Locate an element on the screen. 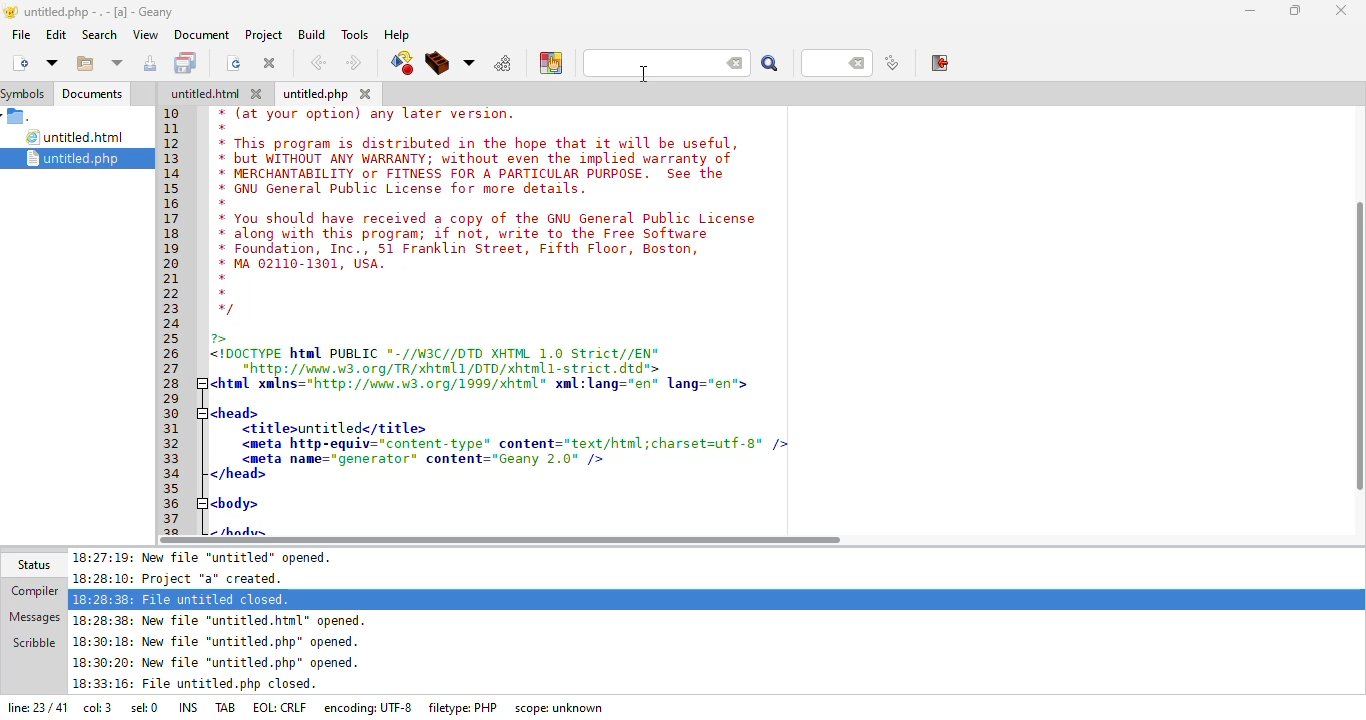 The image size is (1366, 720). 18:30:18: new file "untitled.php" opened. is located at coordinates (217, 644).